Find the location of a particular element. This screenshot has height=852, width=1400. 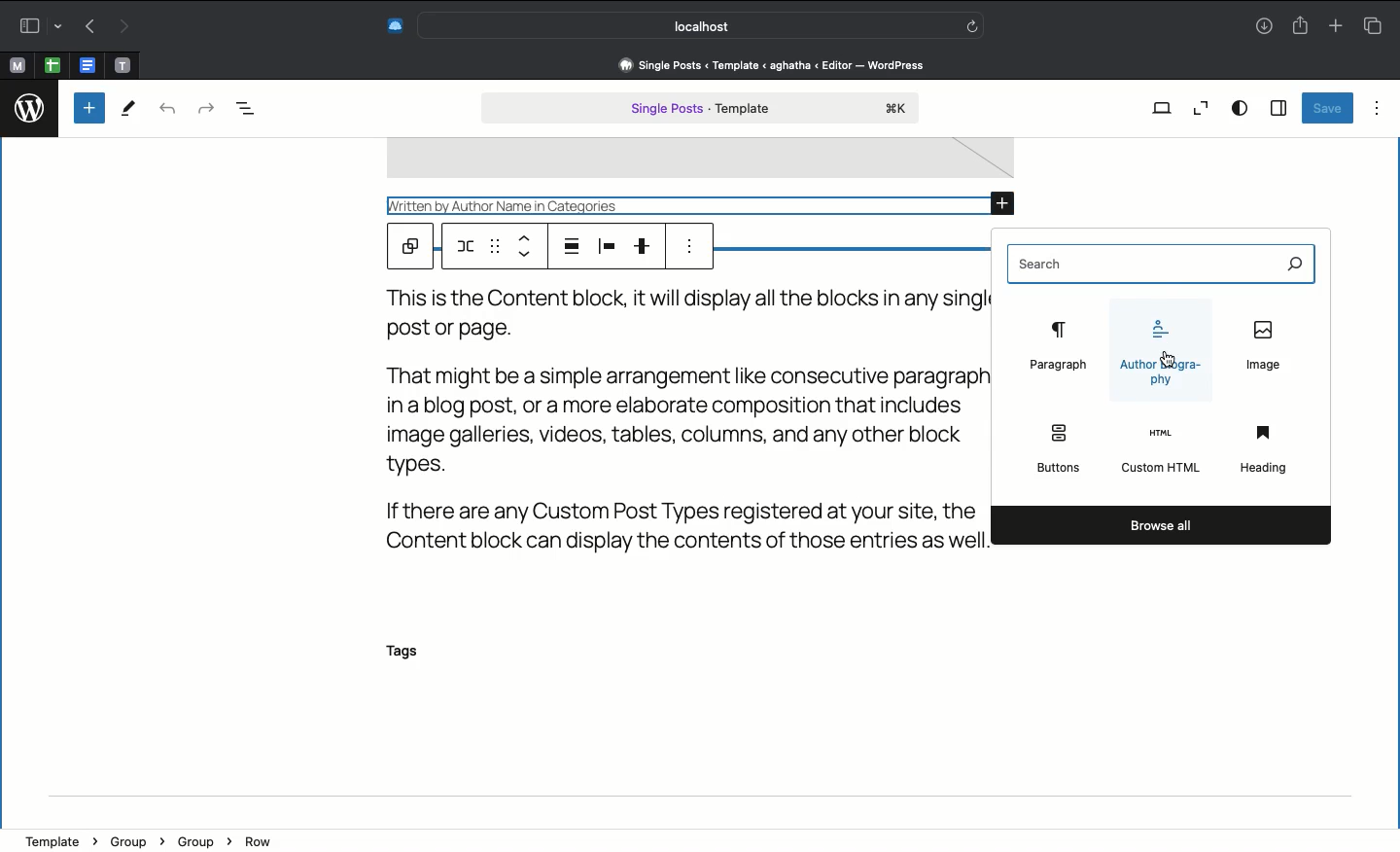

Author biography is located at coordinates (1161, 355).